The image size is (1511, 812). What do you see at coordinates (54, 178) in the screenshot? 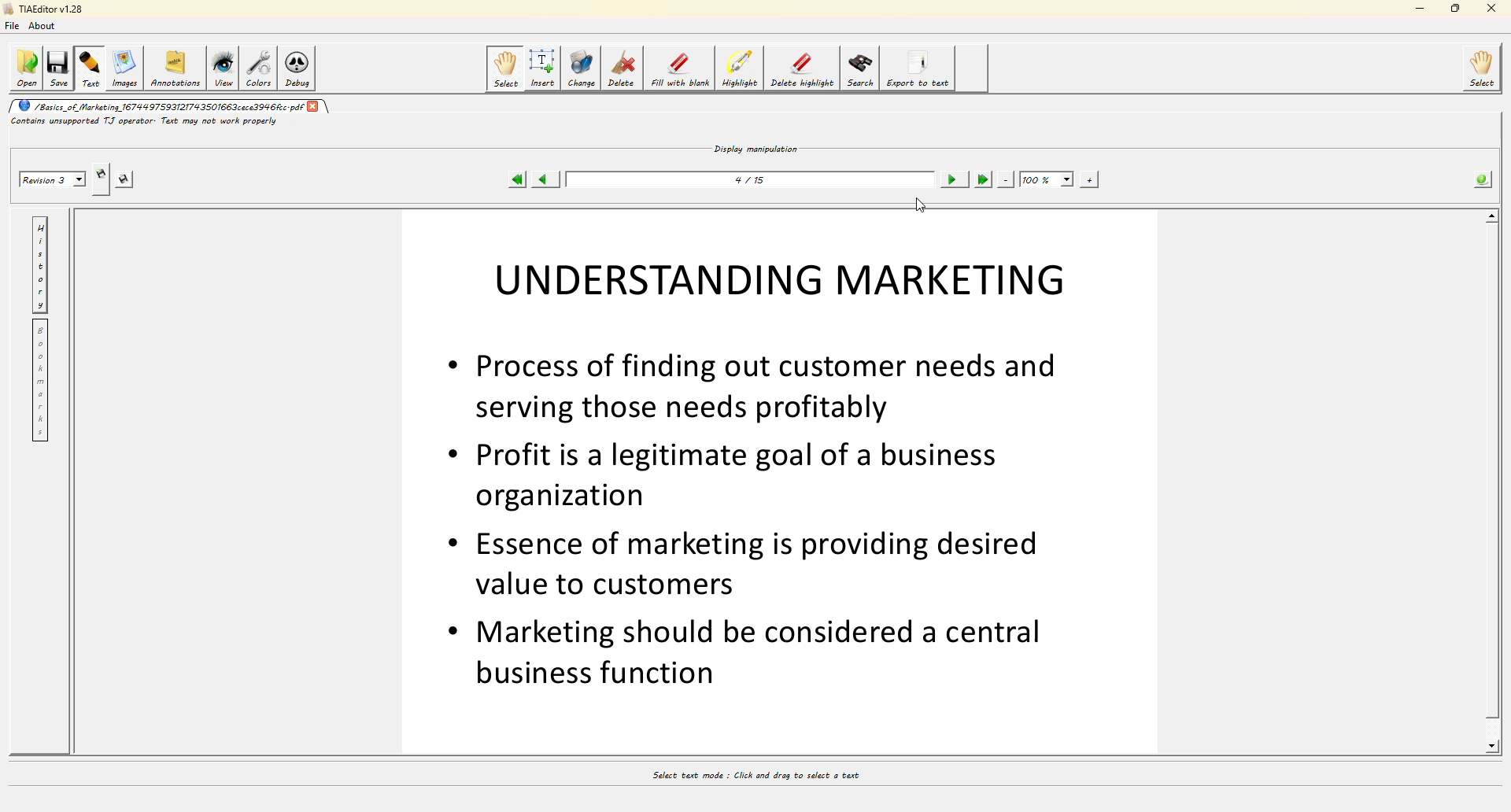
I see `revision` at bounding box center [54, 178].